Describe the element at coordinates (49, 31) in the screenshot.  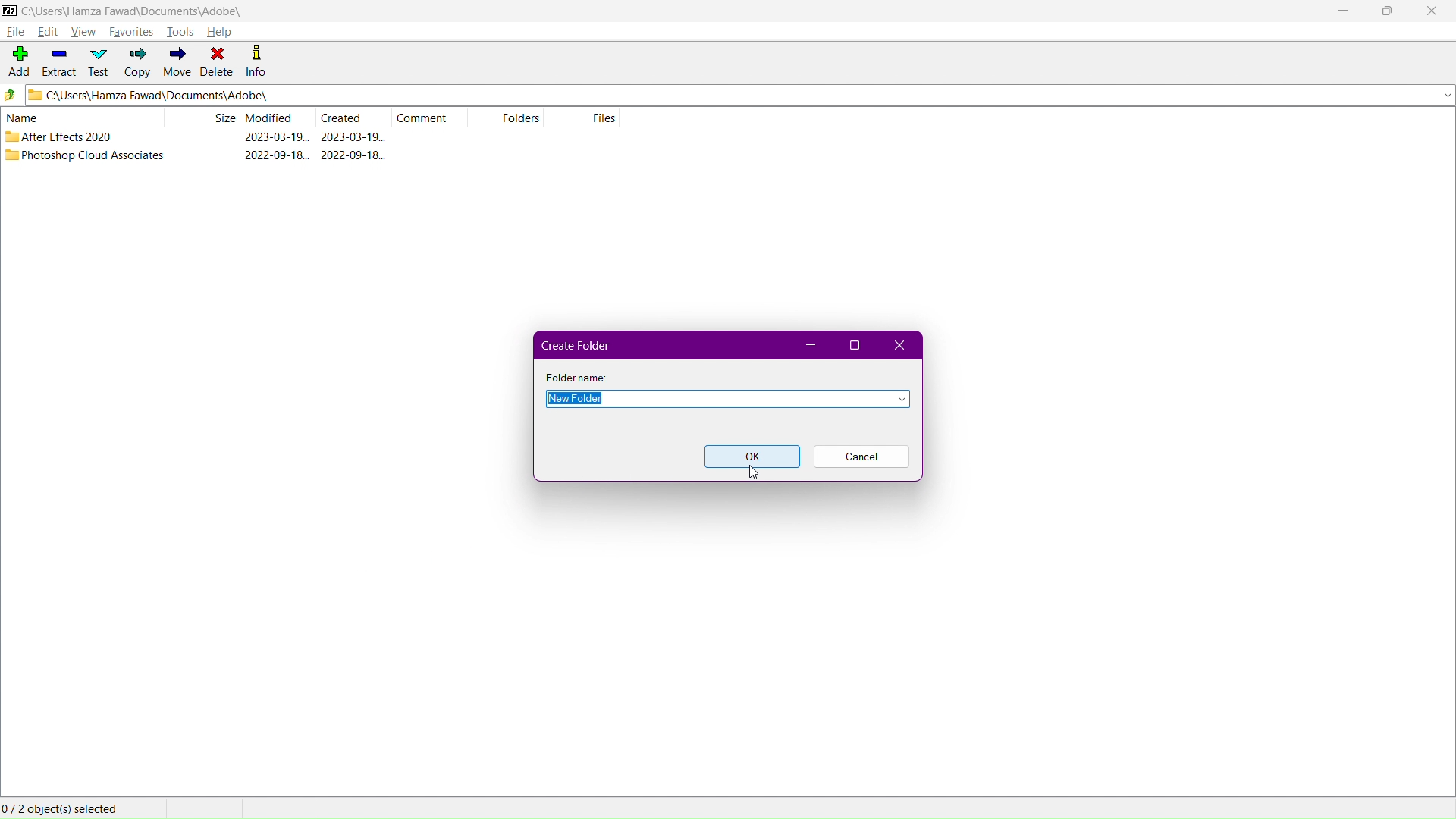
I see `Edit` at that location.